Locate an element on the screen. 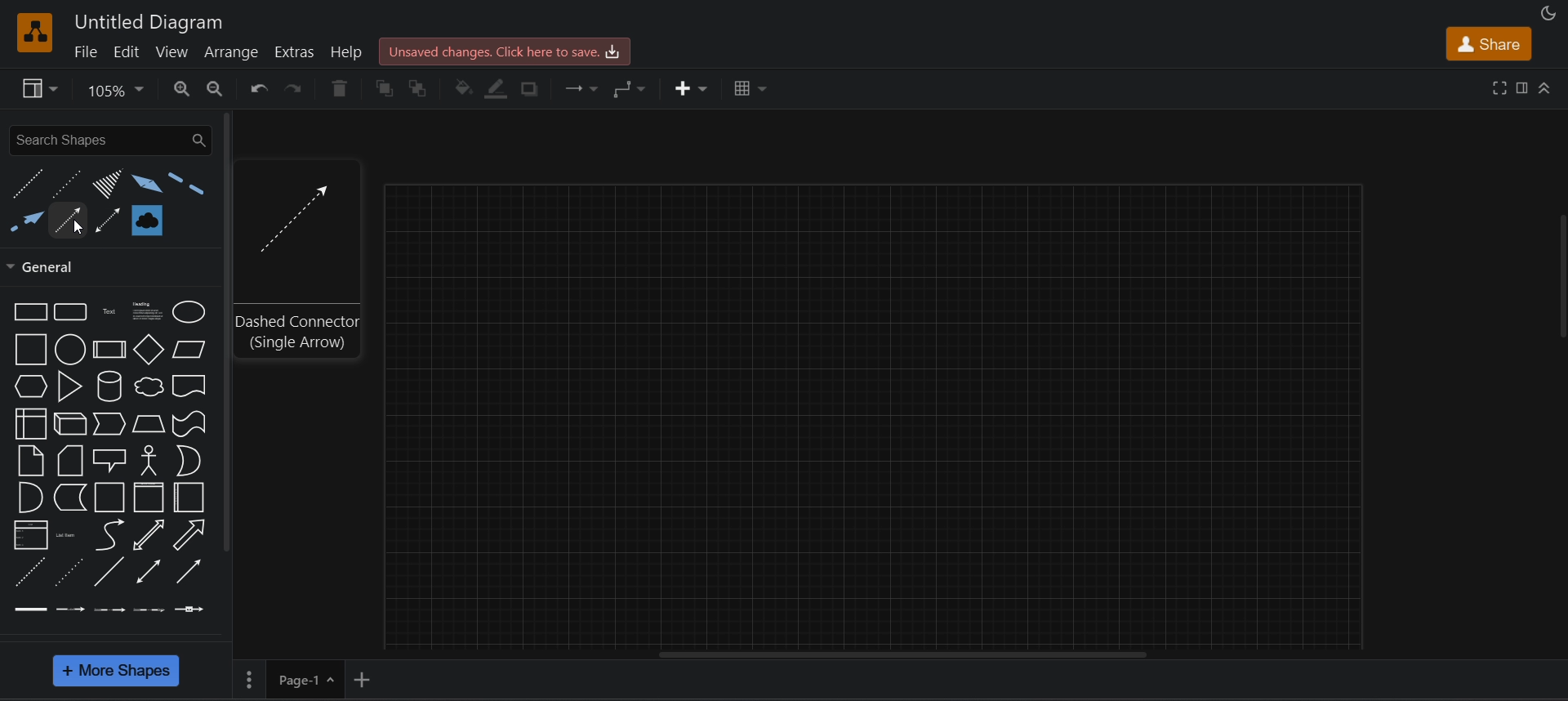 The image size is (1568, 701). connection is located at coordinates (585, 89).